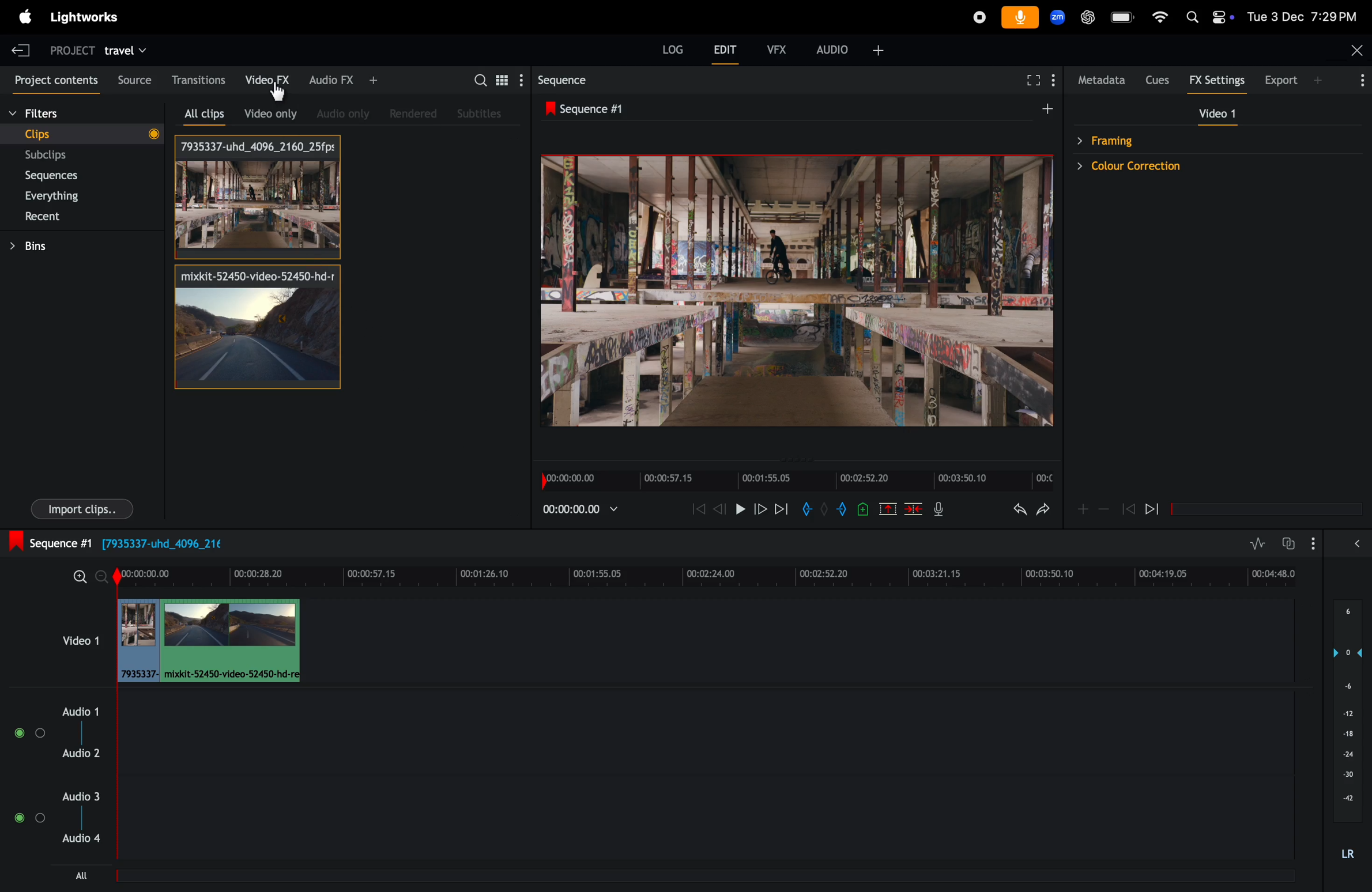 The height and width of the screenshot is (892, 1372). I want to click on mic, so click(939, 510).